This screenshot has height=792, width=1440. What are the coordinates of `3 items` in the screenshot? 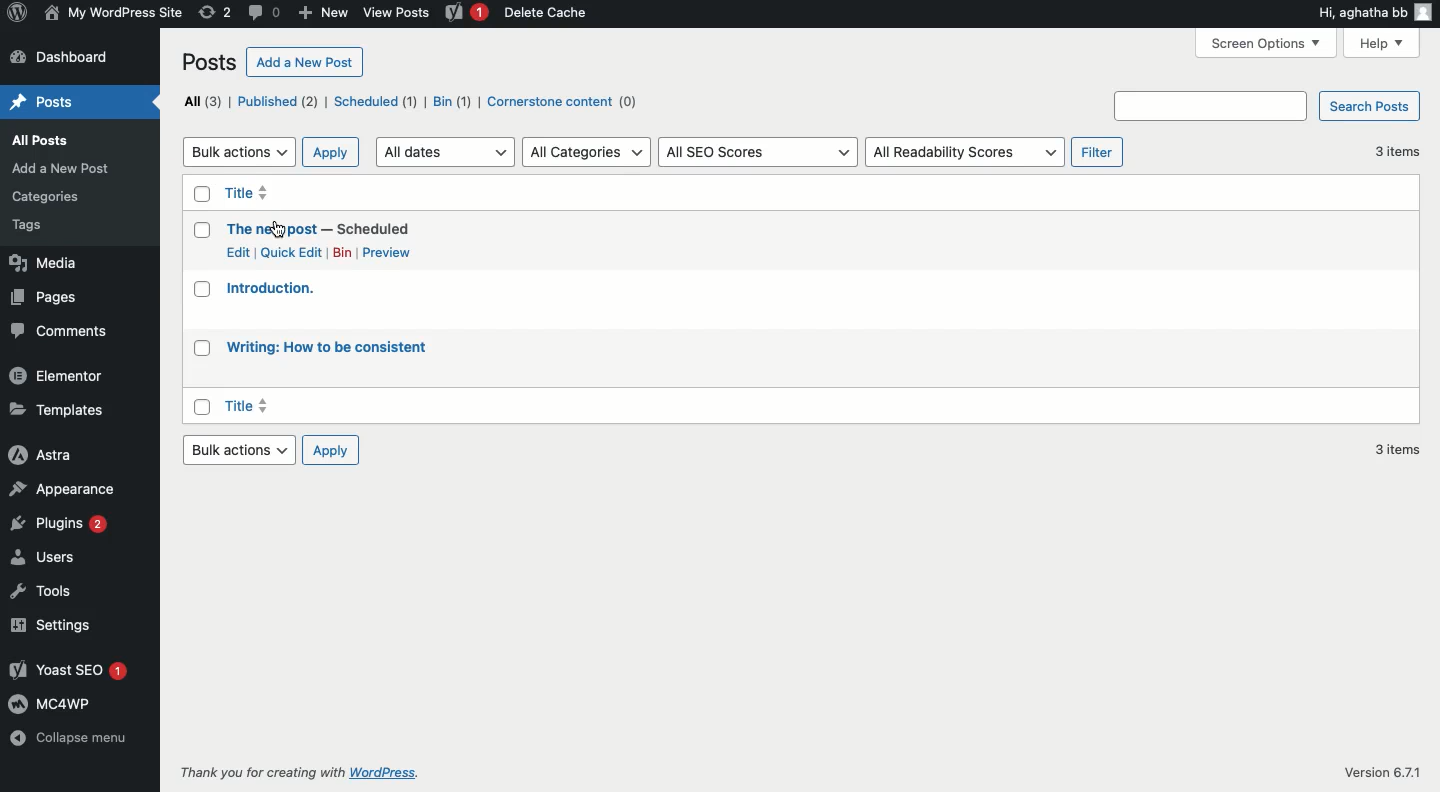 It's located at (1396, 449).